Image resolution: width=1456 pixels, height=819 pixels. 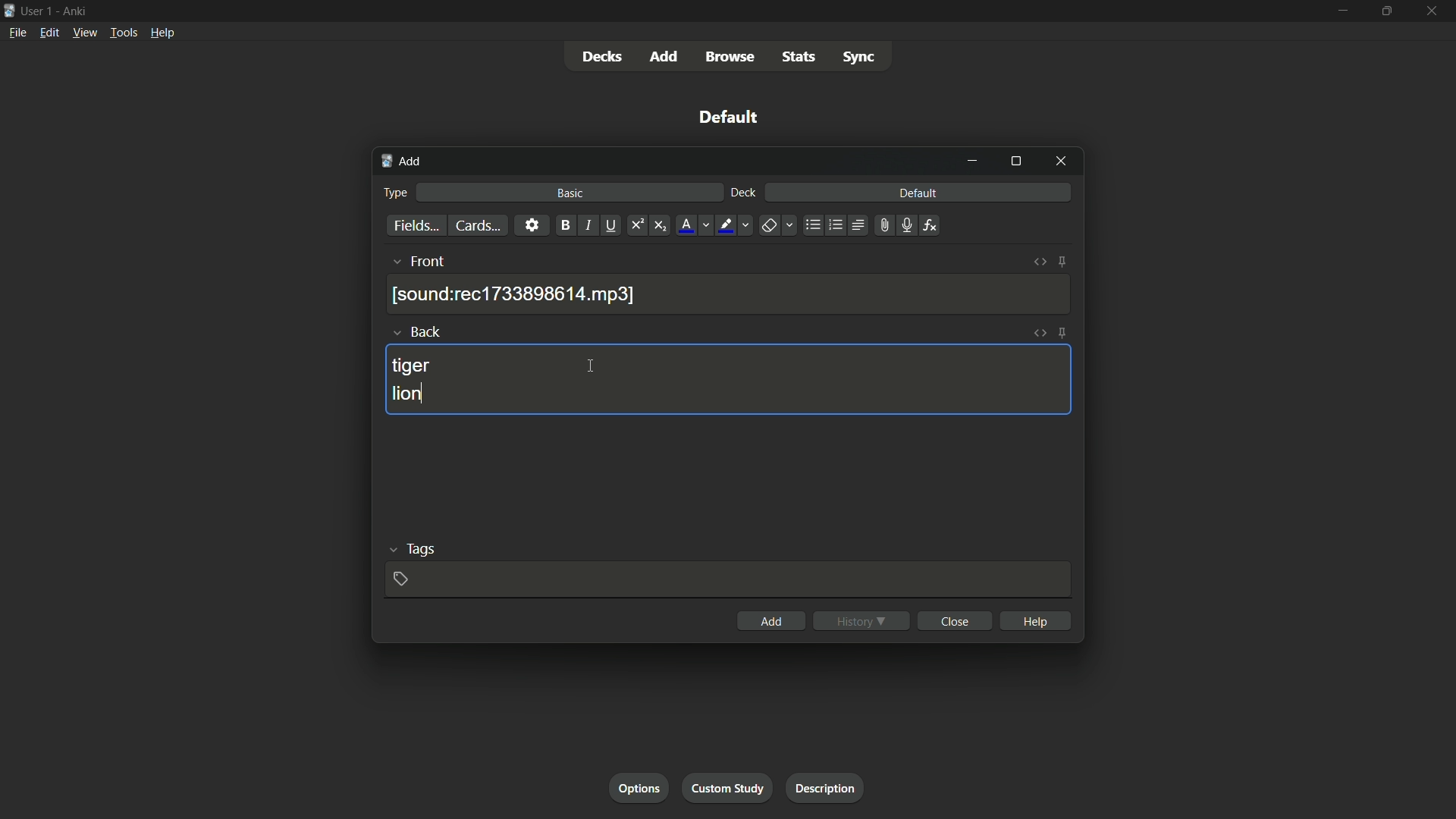 I want to click on fields, so click(x=415, y=226).